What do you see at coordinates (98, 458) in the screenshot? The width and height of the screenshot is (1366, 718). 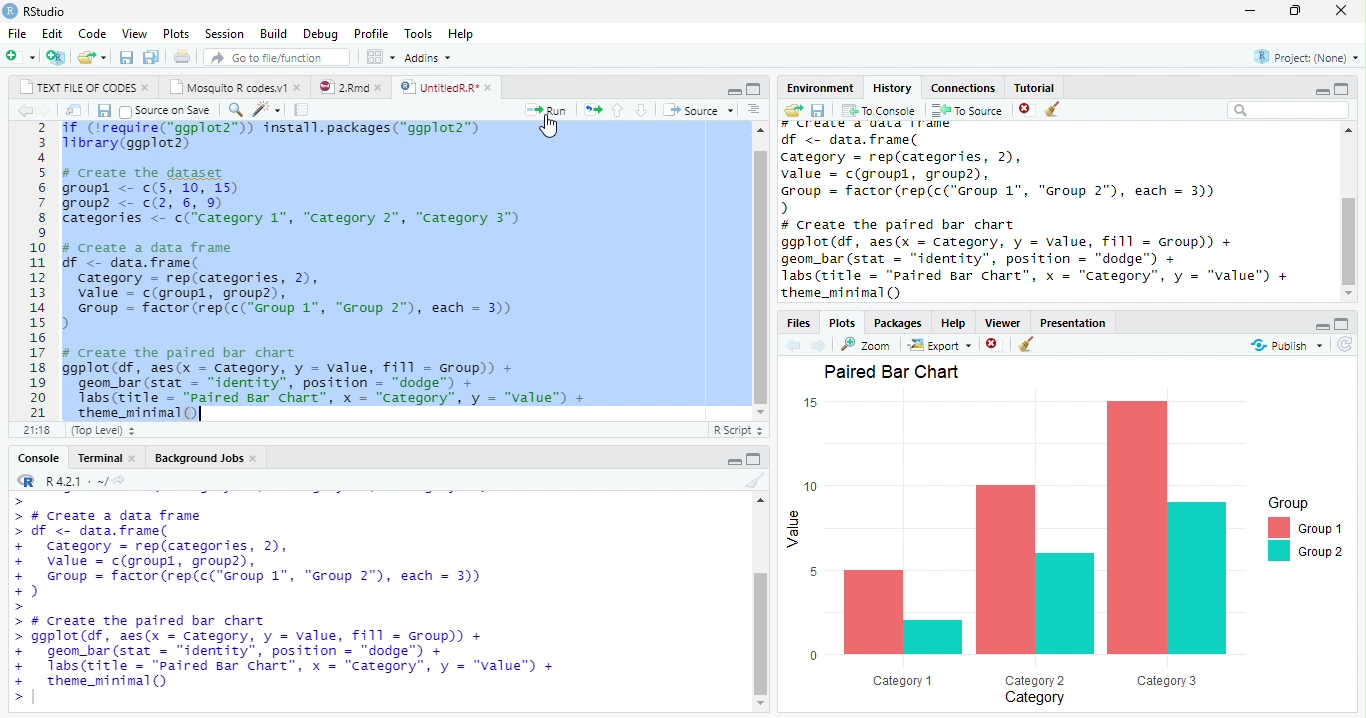 I see `terminal` at bounding box center [98, 458].